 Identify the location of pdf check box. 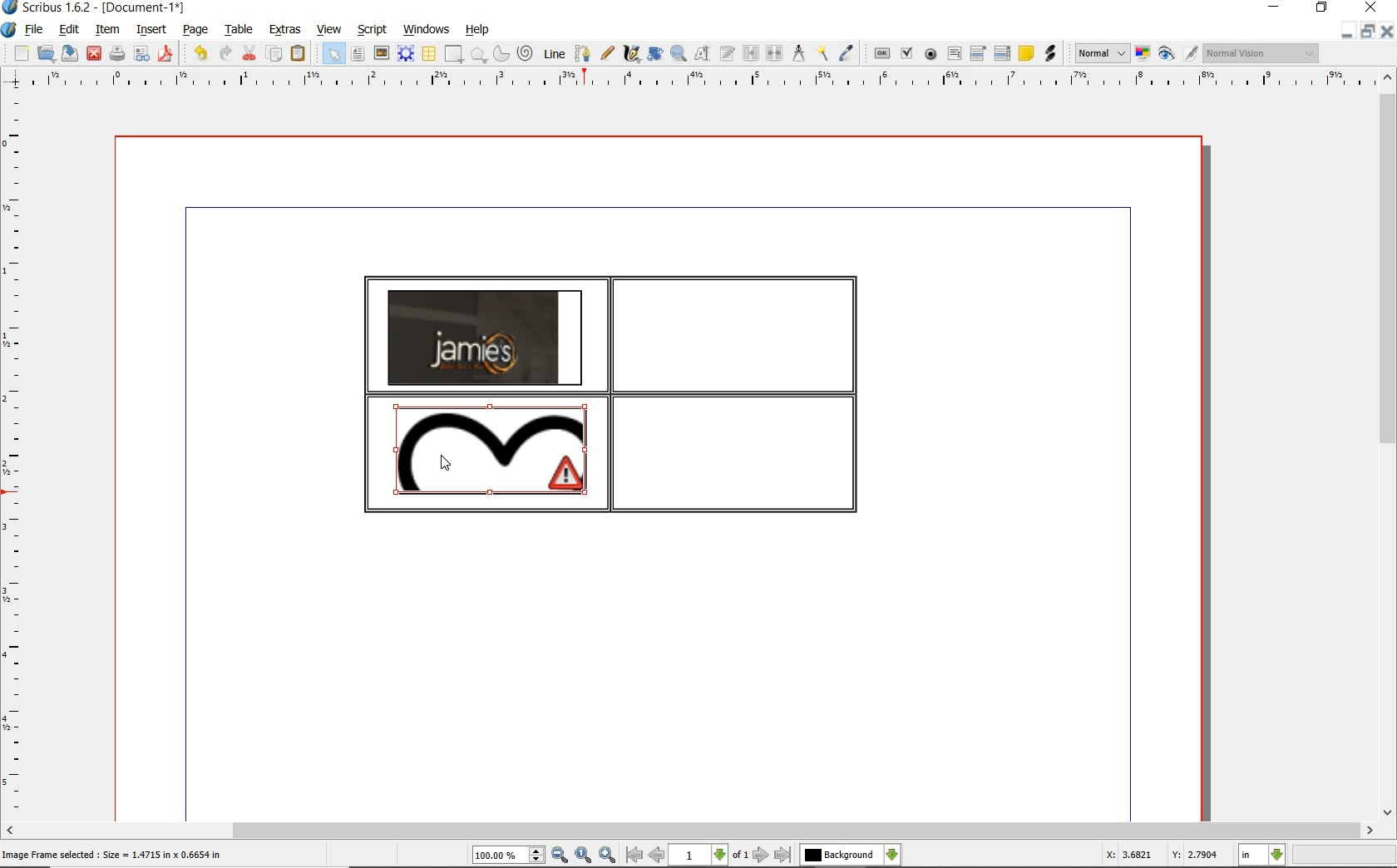
(909, 55).